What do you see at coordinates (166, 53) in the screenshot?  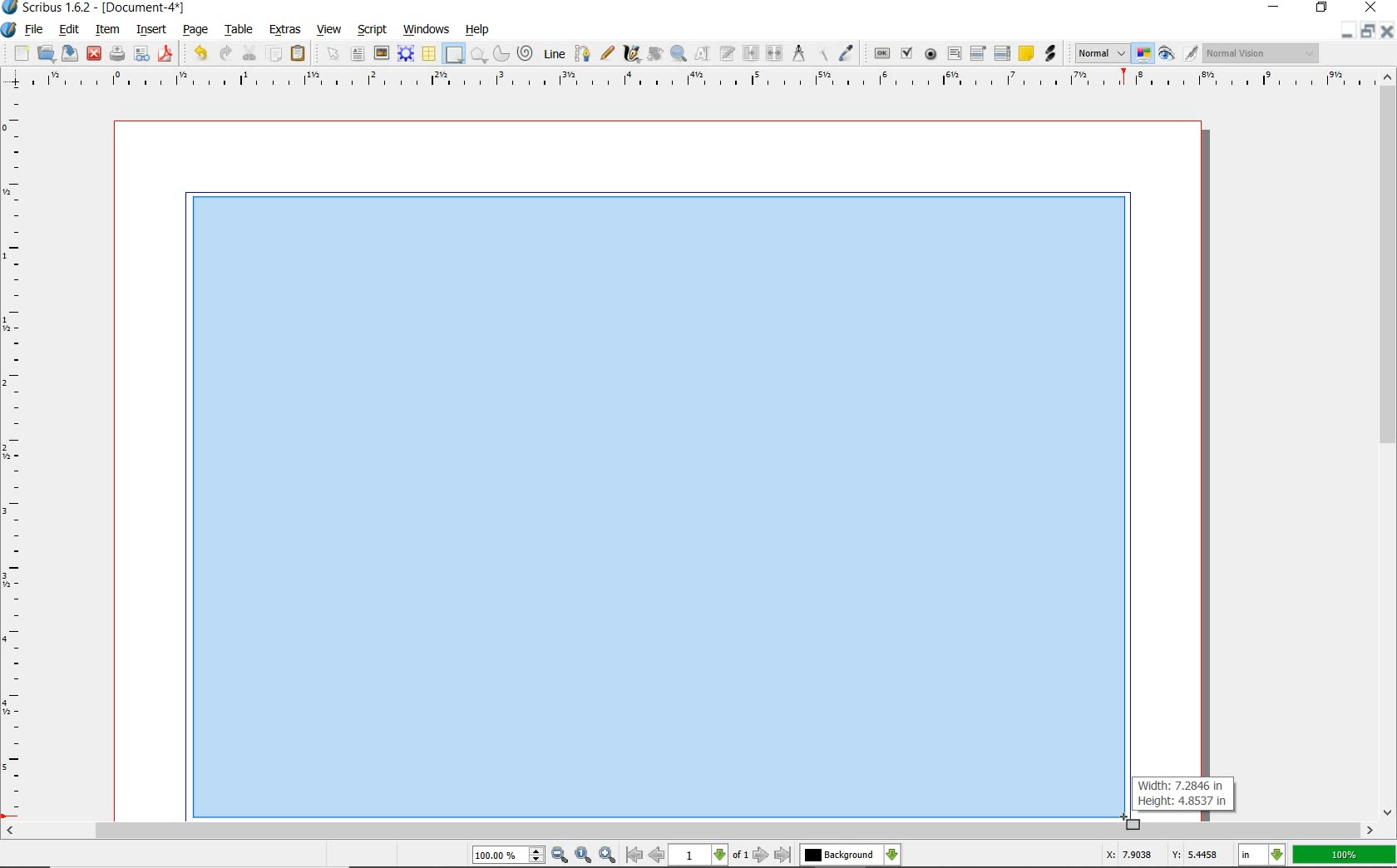 I see `save as pdf` at bounding box center [166, 53].